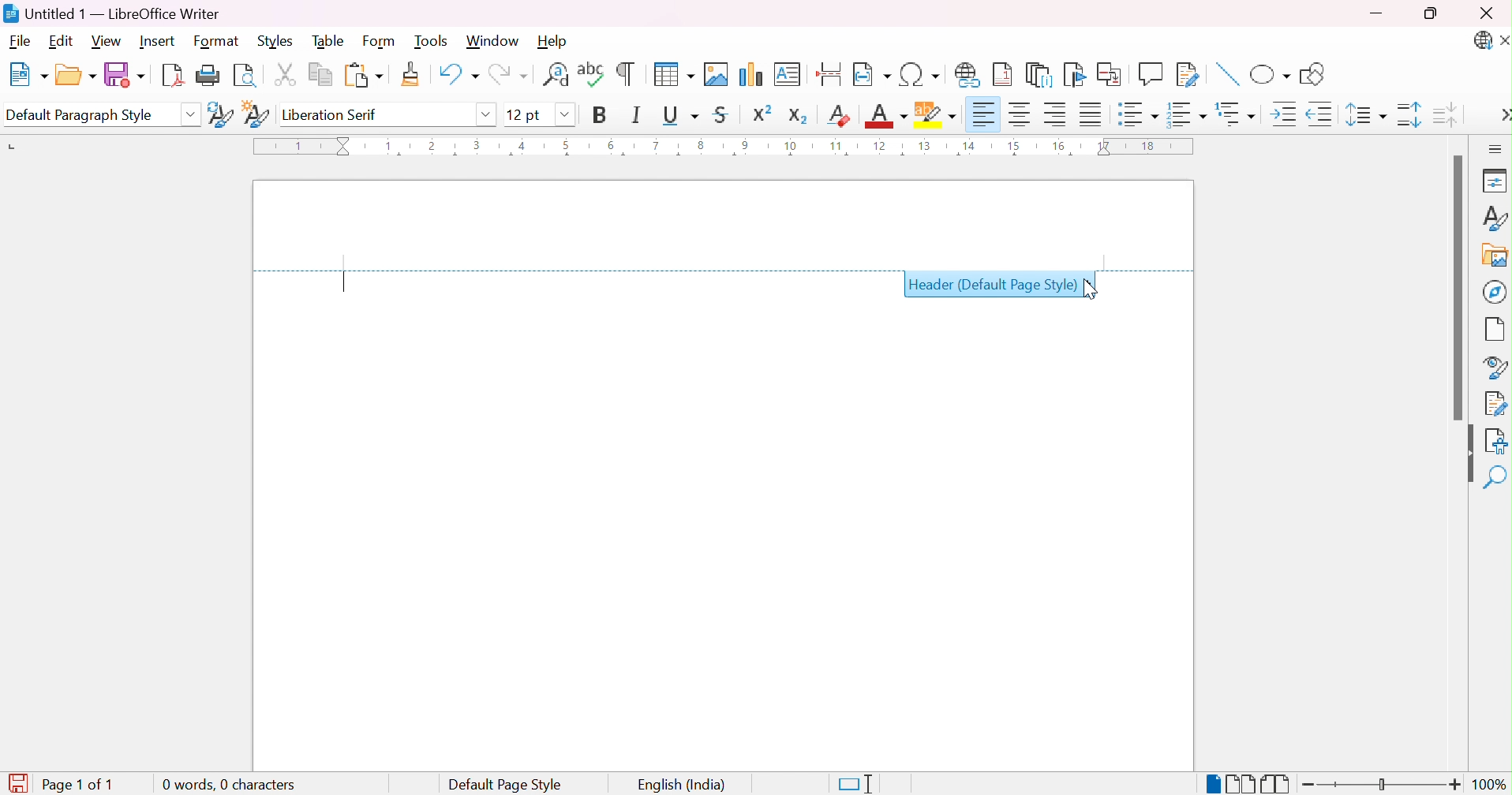 This screenshot has width=1512, height=795. I want to click on Edit, so click(65, 41).